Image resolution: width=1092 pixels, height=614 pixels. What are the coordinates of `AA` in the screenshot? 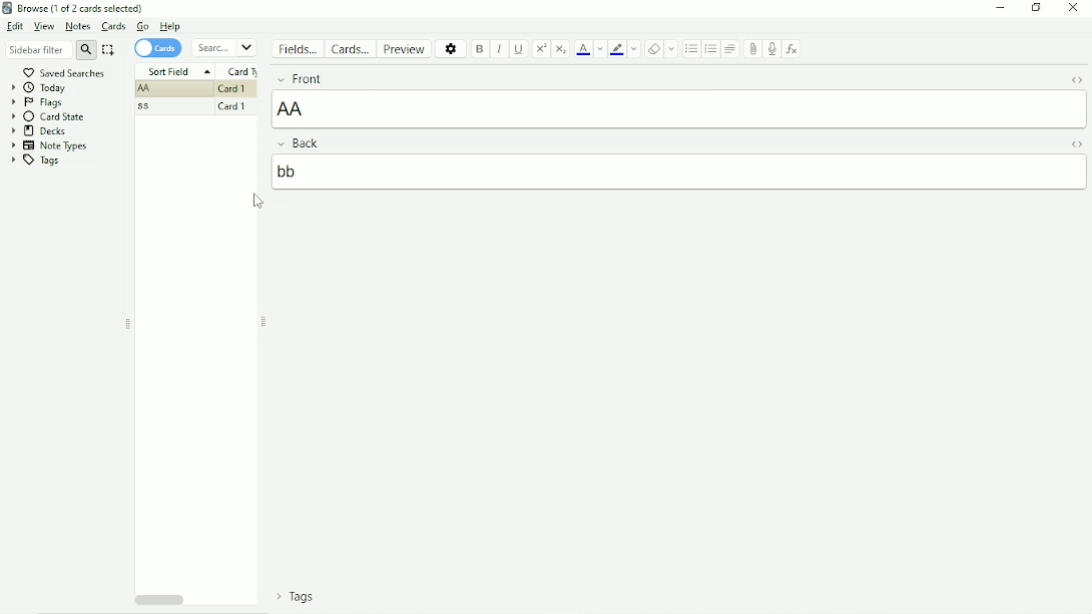 It's located at (145, 89).